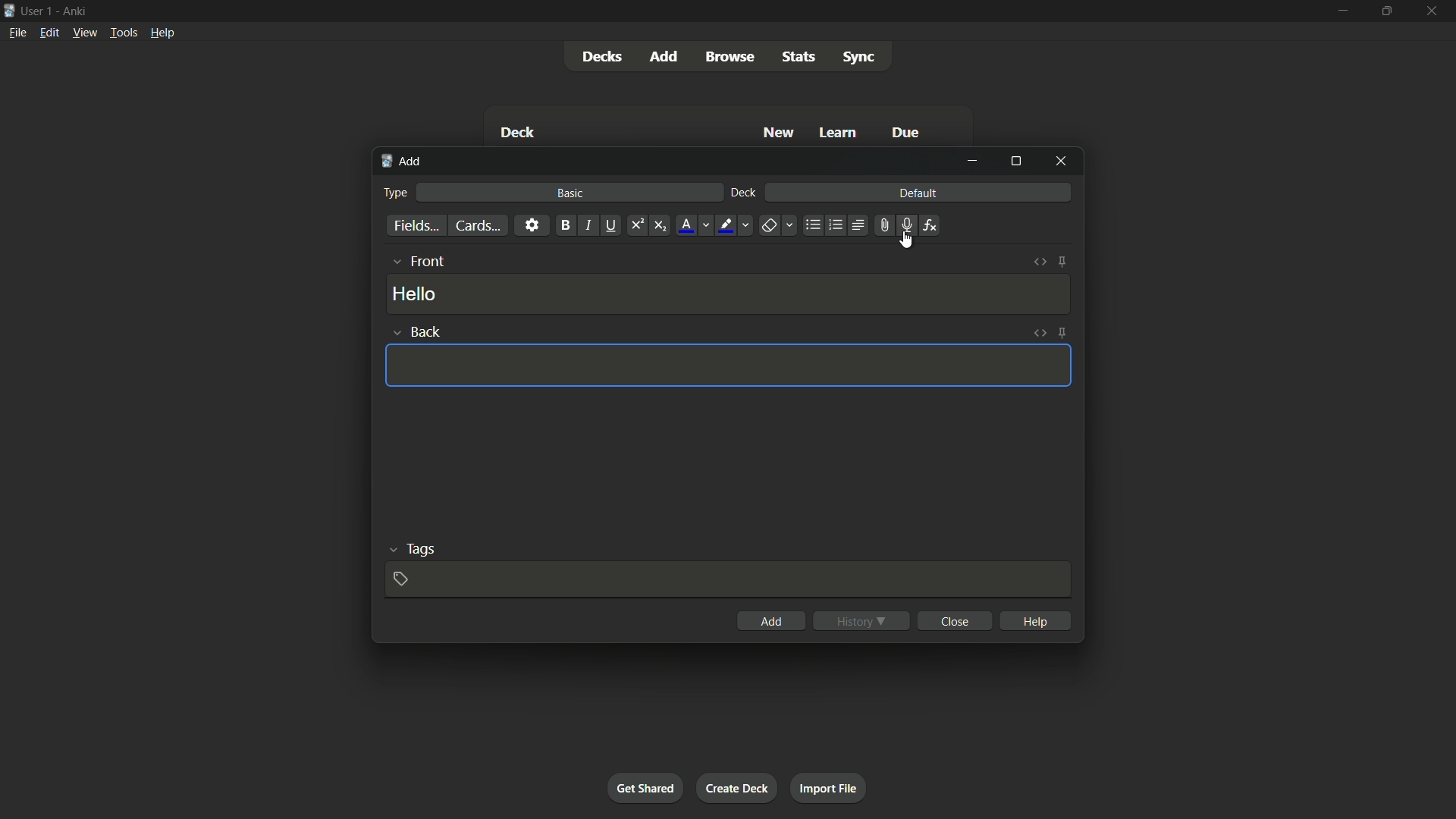 The image size is (1456, 819). What do you see at coordinates (564, 224) in the screenshot?
I see `bold` at bounding box center [564, 224].